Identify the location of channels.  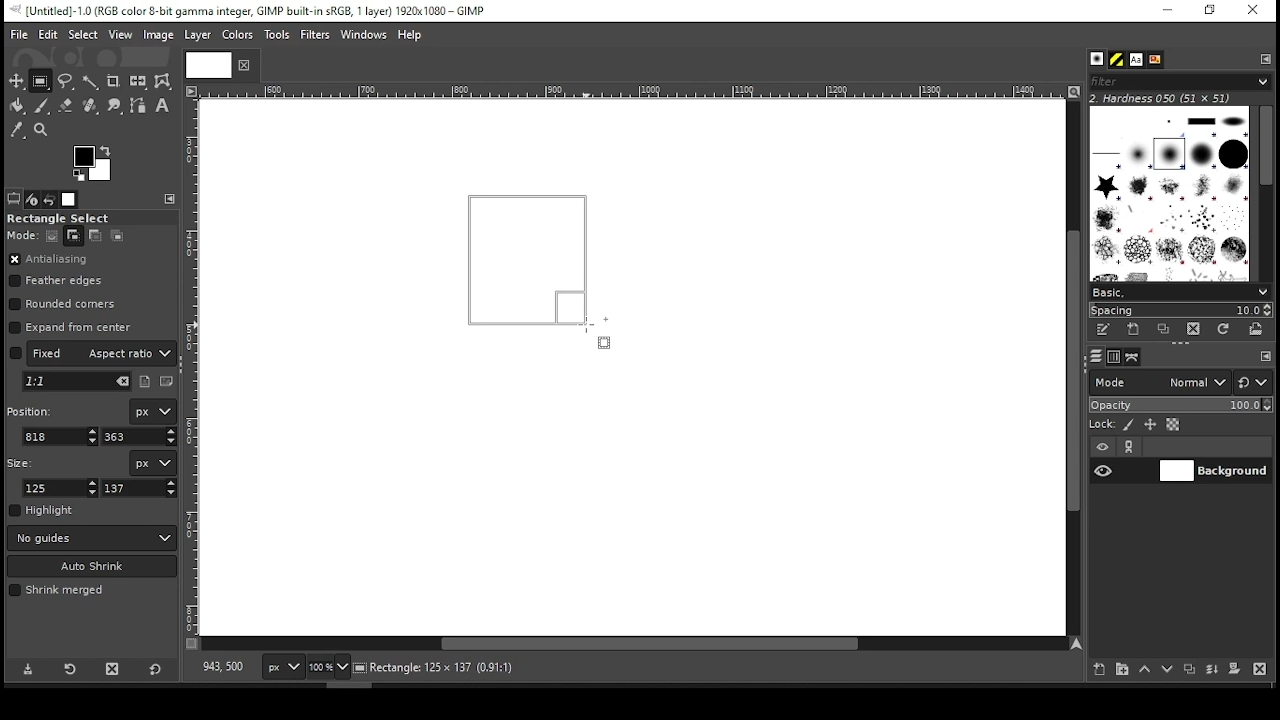
(1113, 357).